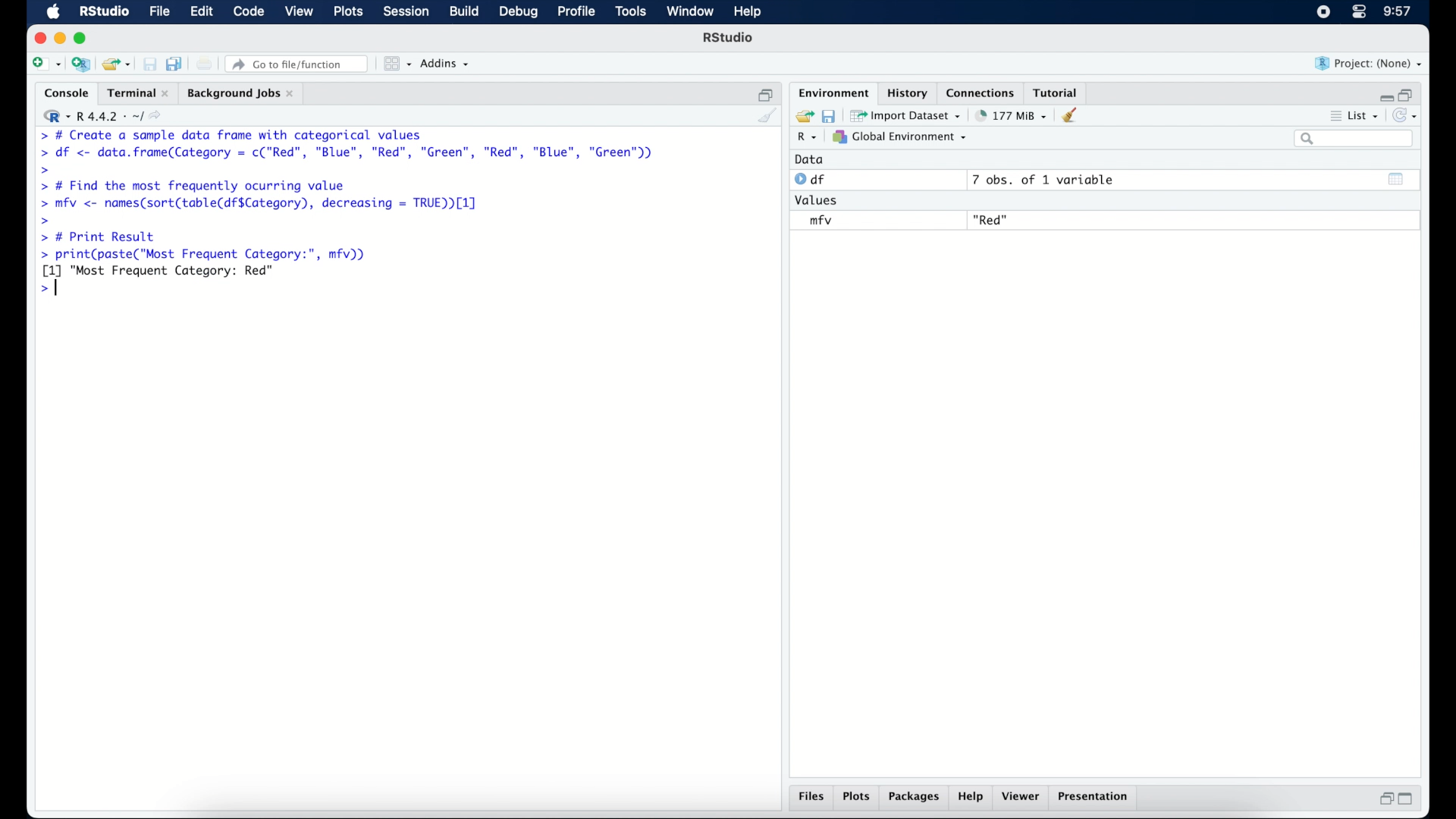 The width and height of the screenshot is (1456, 819). What do you see at coordinates (63, 92) in the screenshot?
I see `console` at bounding box center [63, 92].